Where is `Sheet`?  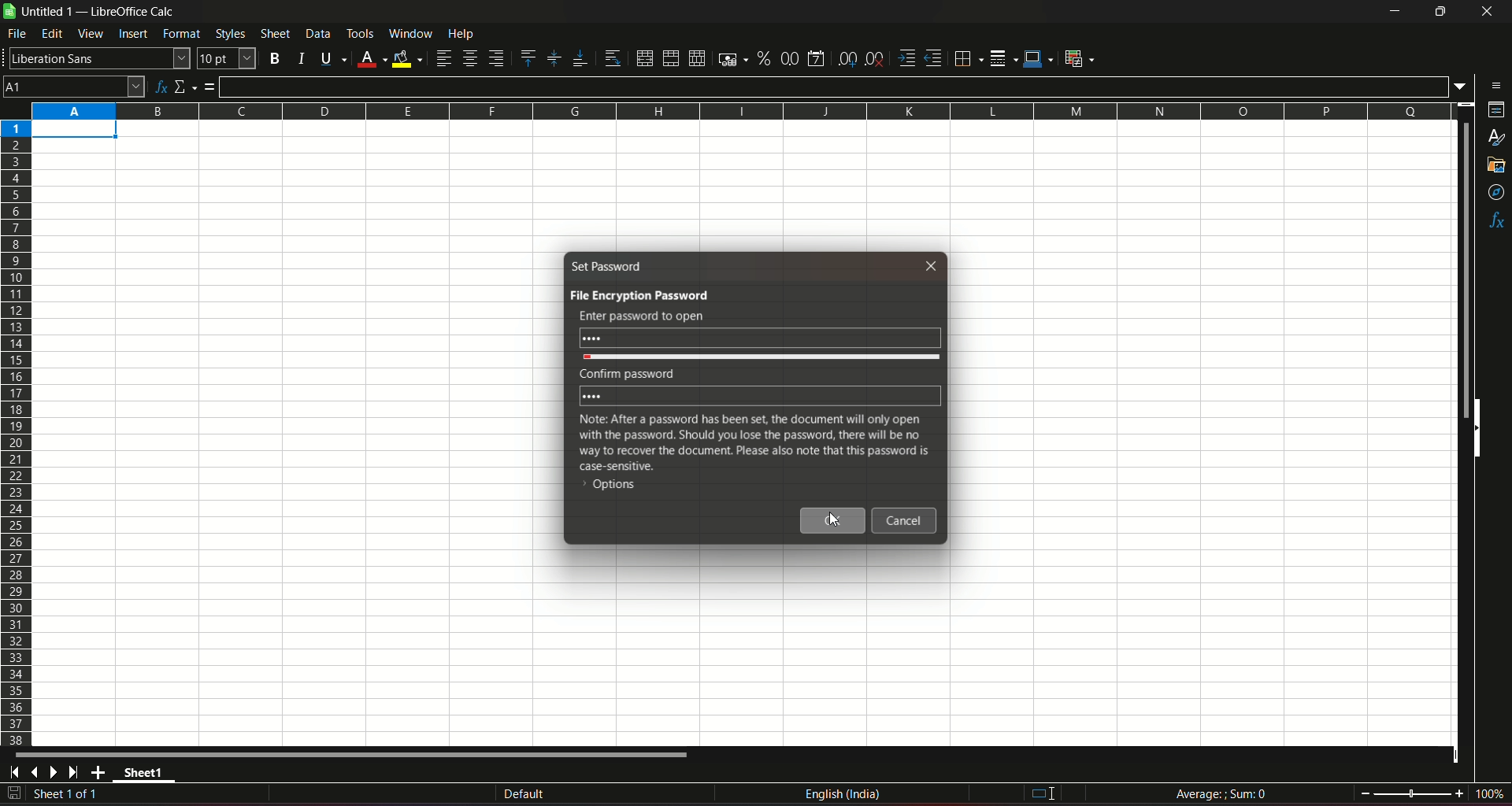
Sheet is located at coordinates (274, 34).